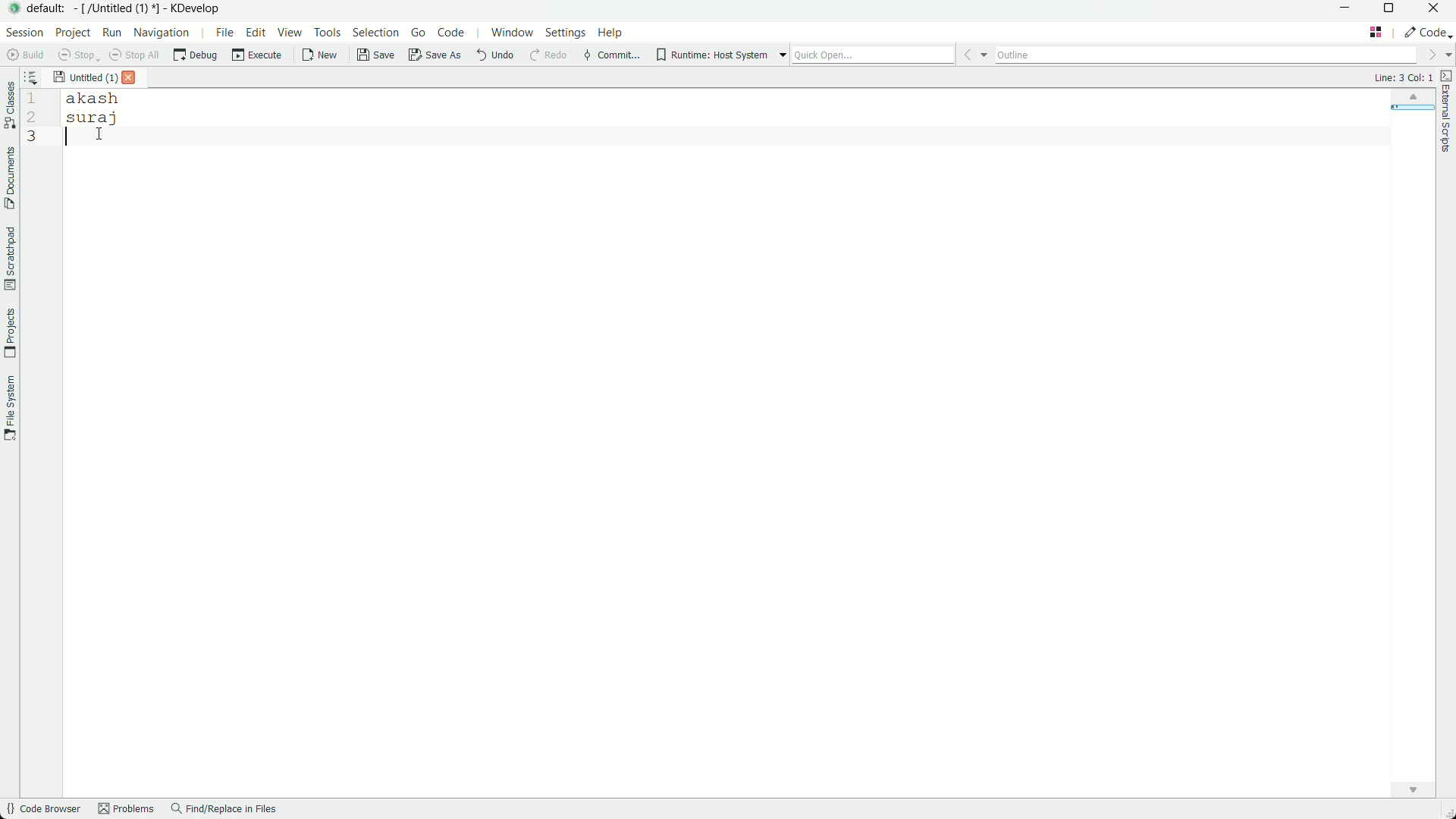 The image size is (1456, 819). Describe the element at coordinates (257, 55) in the screenshot. I see `execute` at that location.